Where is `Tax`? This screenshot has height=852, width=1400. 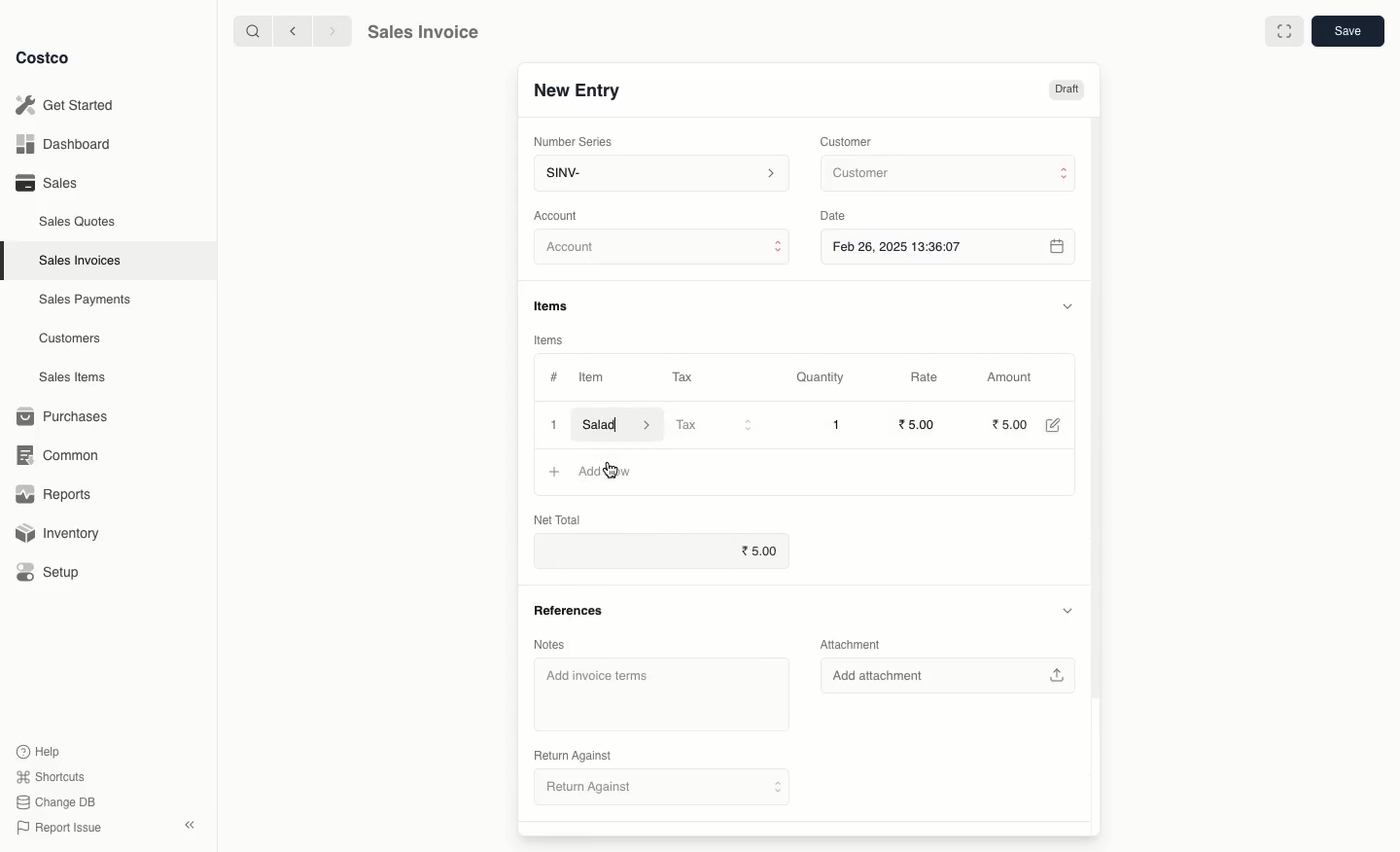 Tax is located at coordinates (682, 373).